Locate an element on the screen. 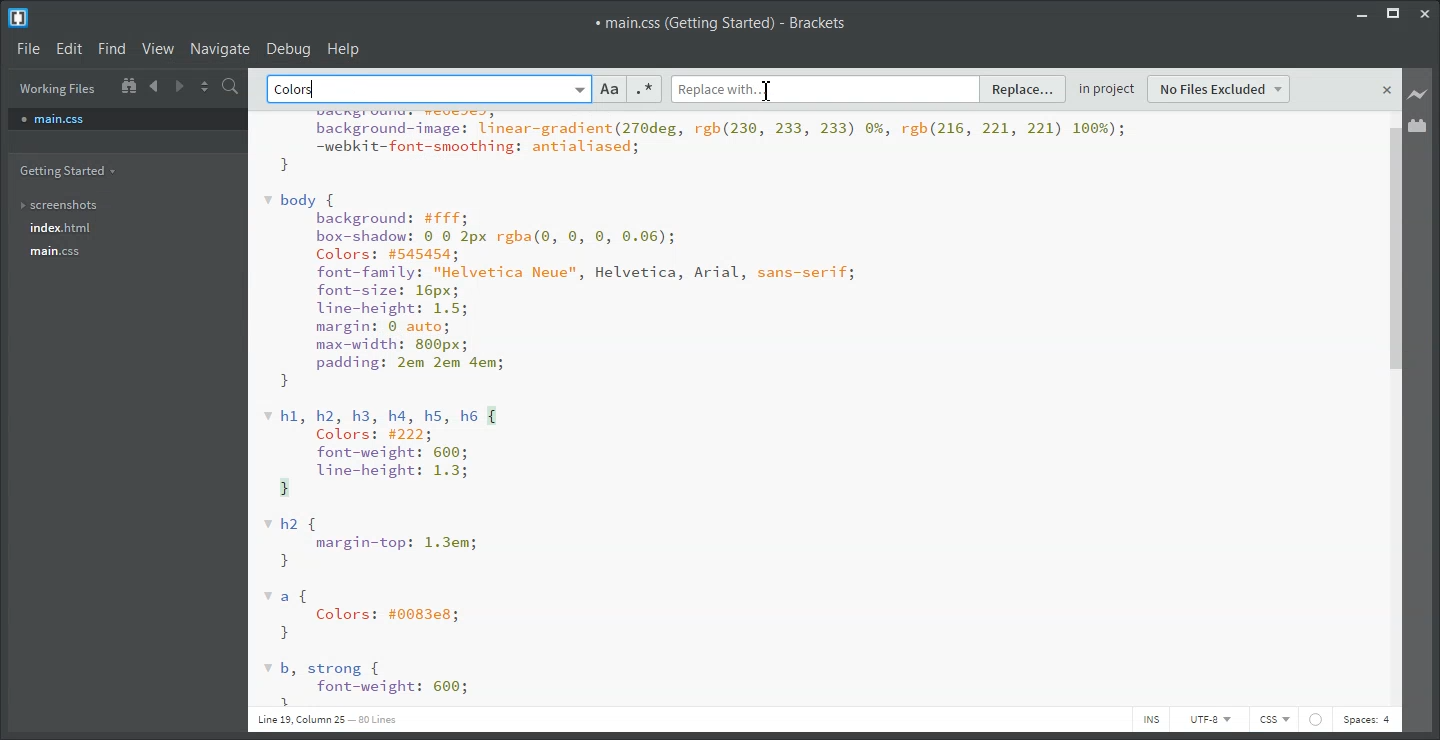  Navigate Backward is located at coordinates (156, 85).